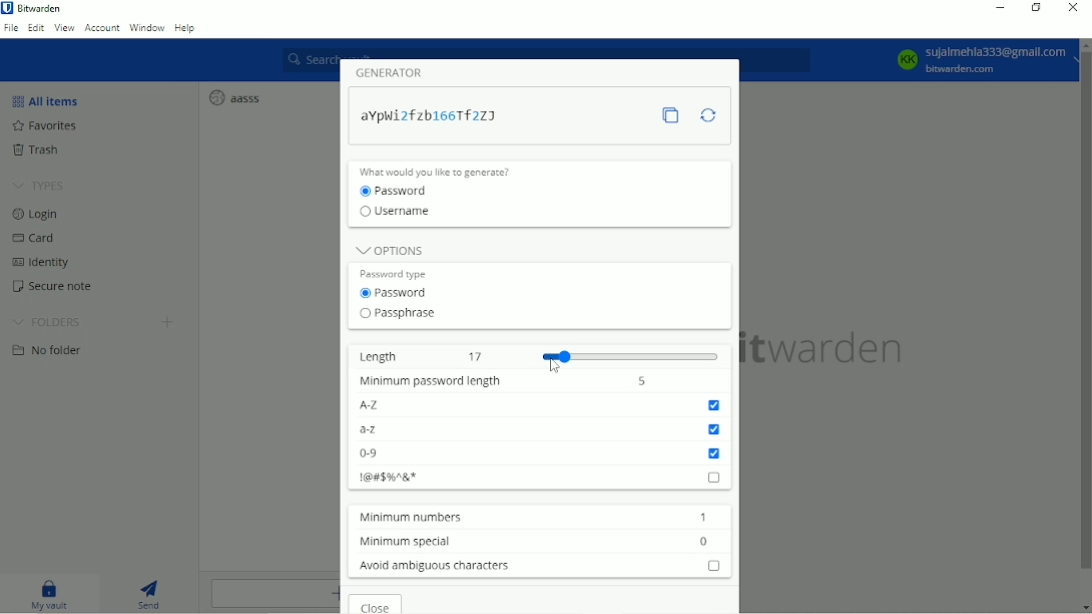  Describe the element at coordinates (167, 324) in the screenshot. I see `Create folder` at that location.